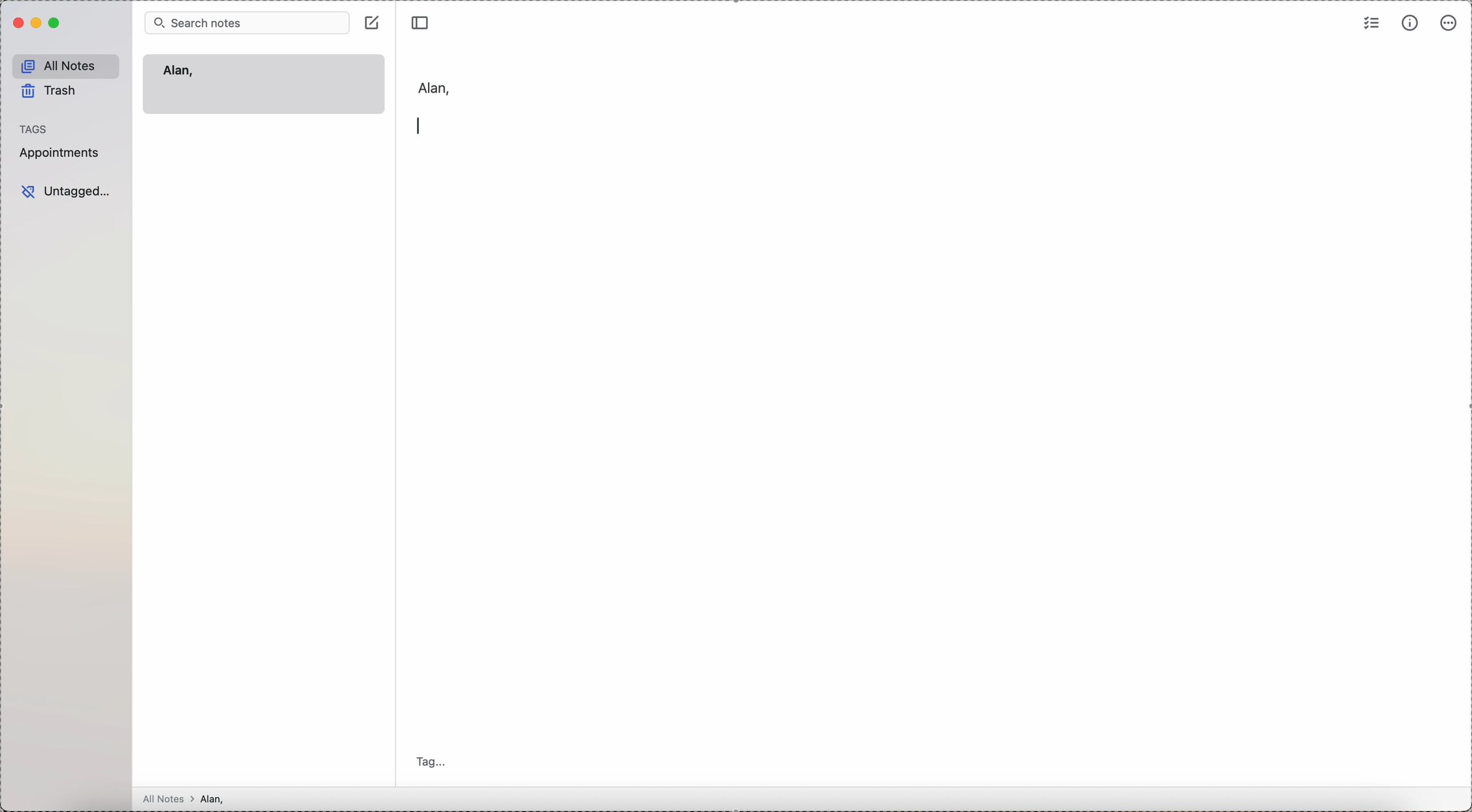 This screenshot has height=812, width=1472. Describe the element at coordinates (56, 23) in the screenshot. I see `maximize` at that location.